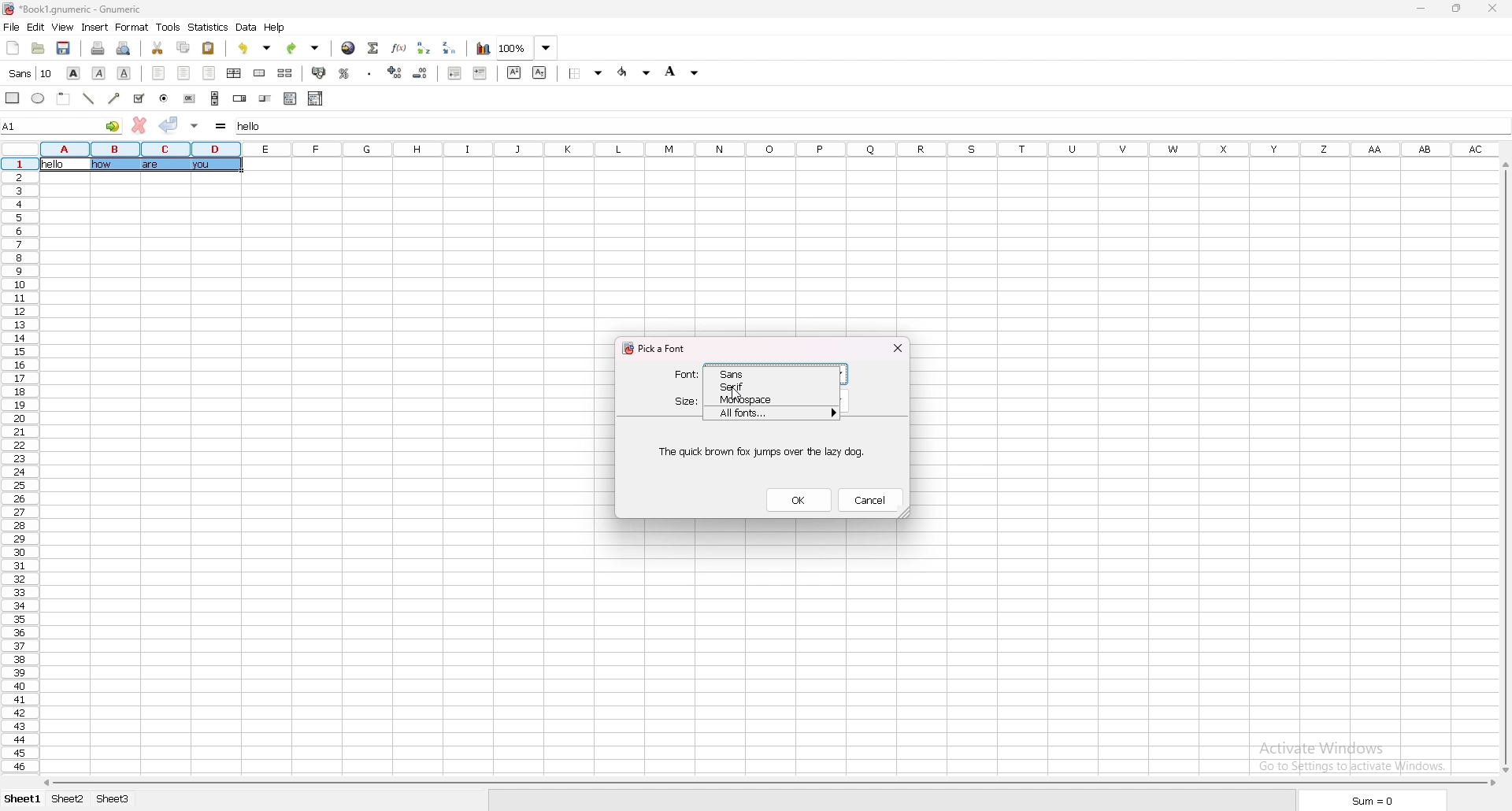 The image size is (1512, 811). Describe the element at coordinates (38, 47) in the screenshot. I see `open` at that location.